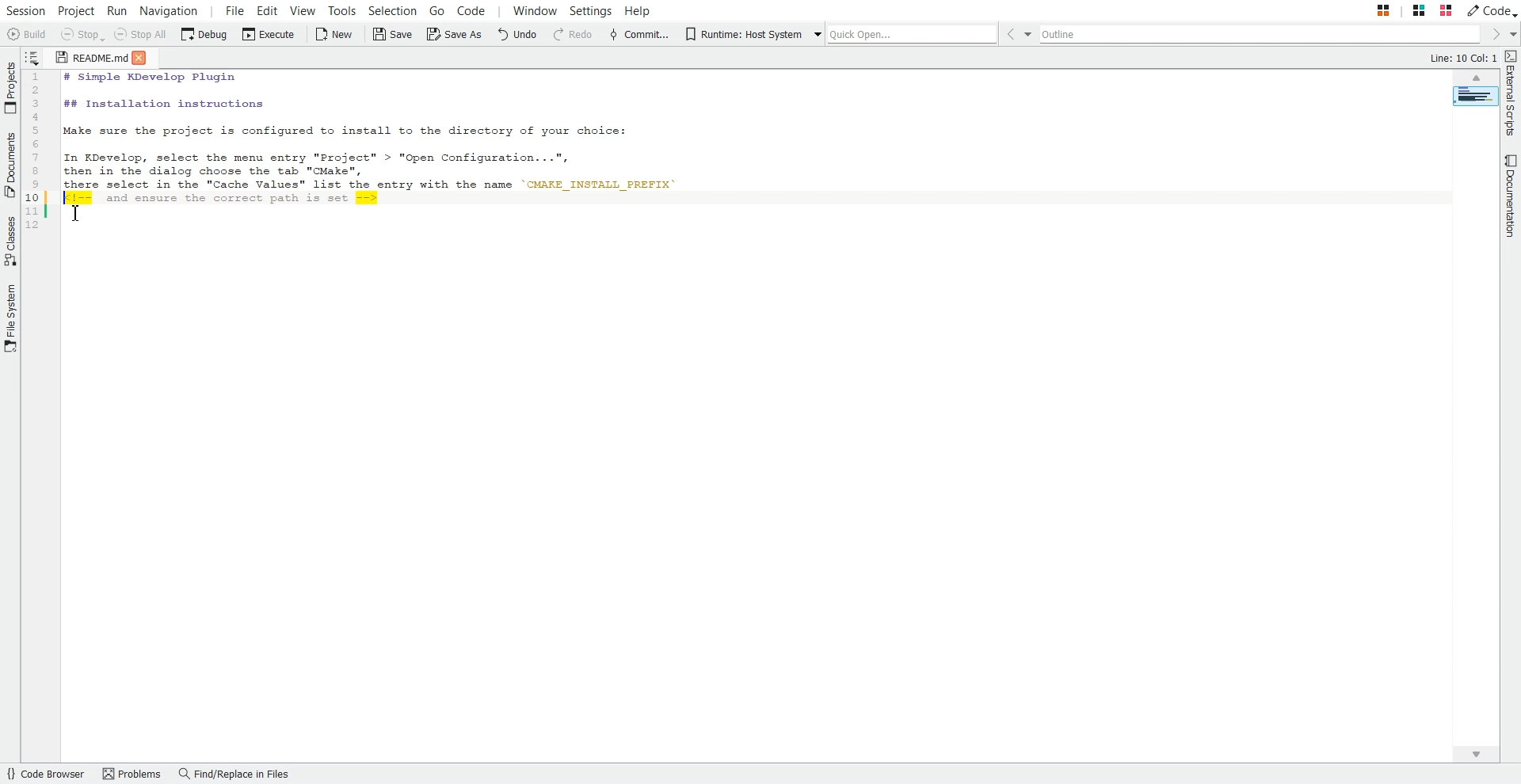 Image resolution: width=1521 pixels, height=784 pixels. Describe the element at coordinates (32, 57) in the screenshot. I see `Show sorted list` at that location.